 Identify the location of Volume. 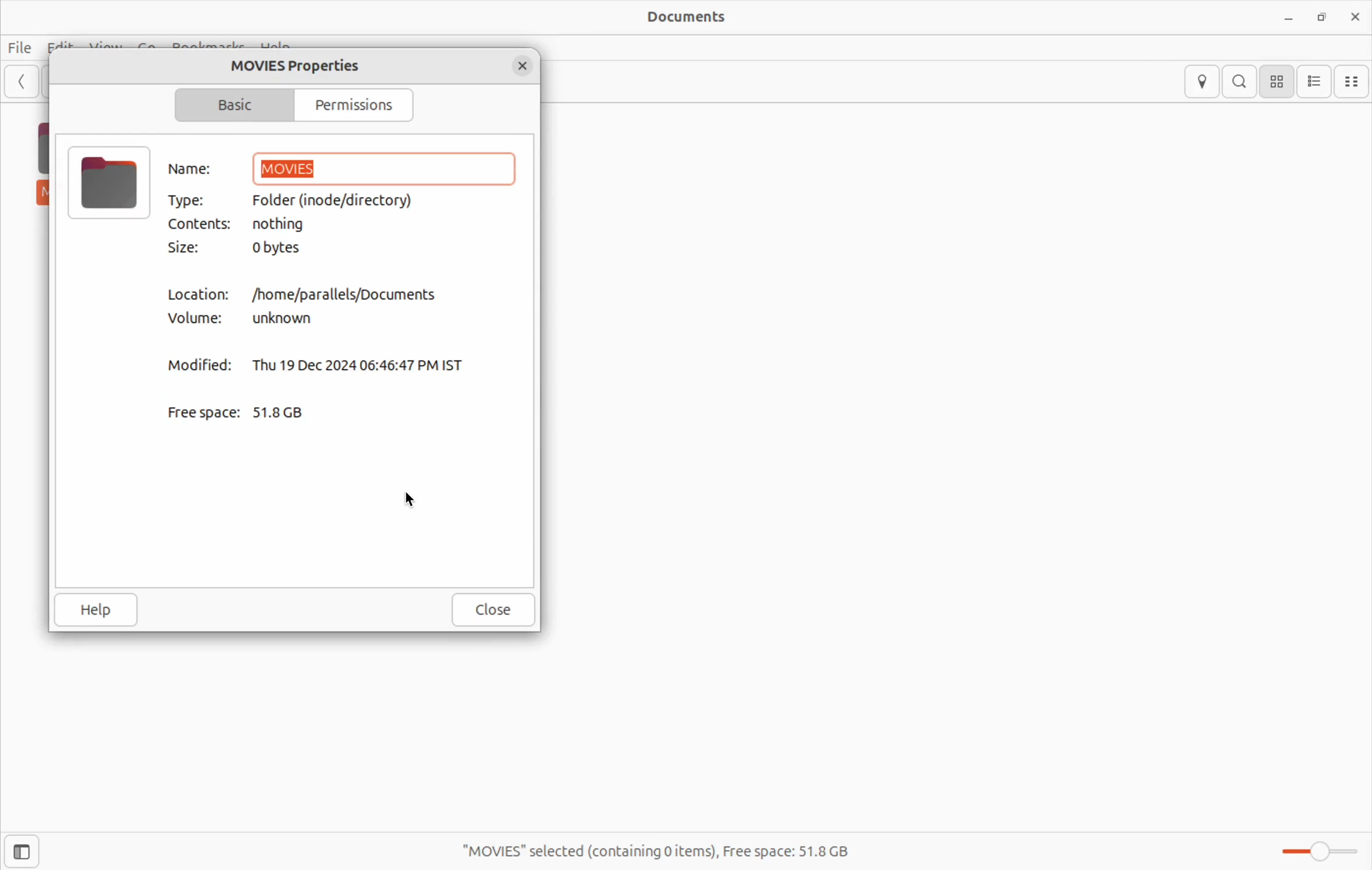
(200, 321).